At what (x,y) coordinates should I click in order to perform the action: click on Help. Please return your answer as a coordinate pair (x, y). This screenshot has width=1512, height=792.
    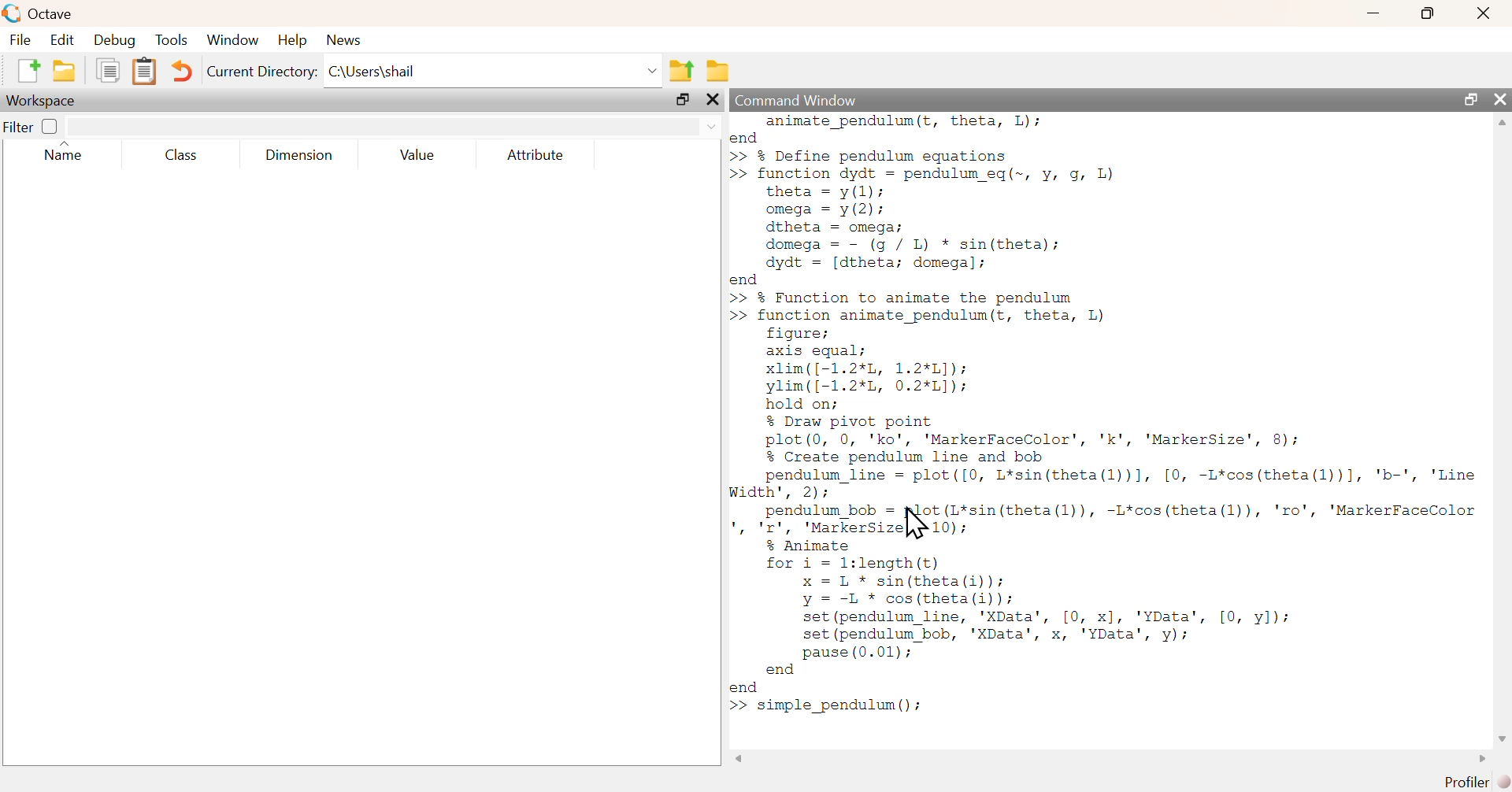
    Looking at the image, I should click on (291, 39).